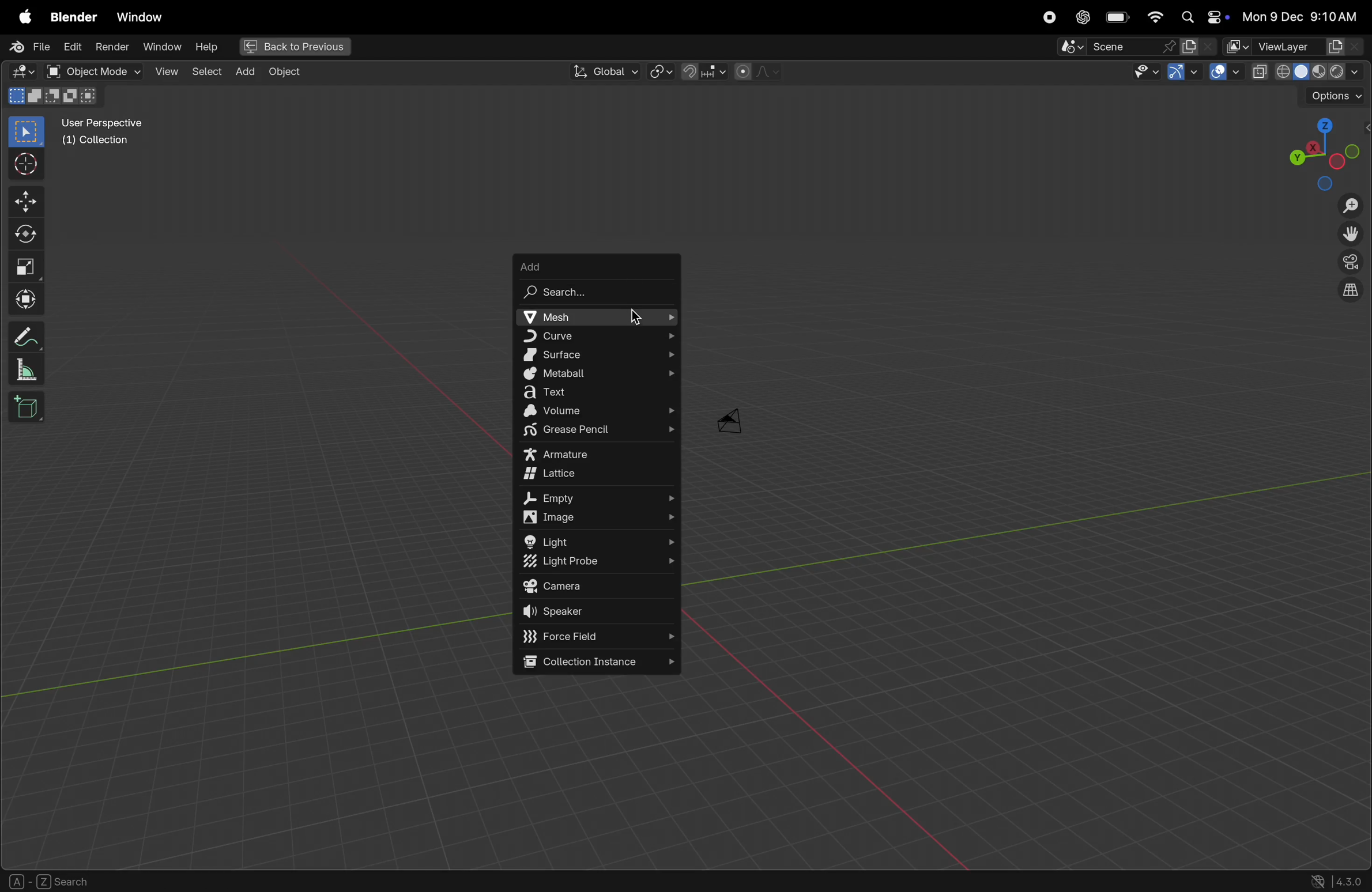 Image resolution: width=1372 pixels, height=892 pixels. What do you see at coordinates (1321, 151) in the screenshot?
I see `view point` at bounding box center [1321, 151].